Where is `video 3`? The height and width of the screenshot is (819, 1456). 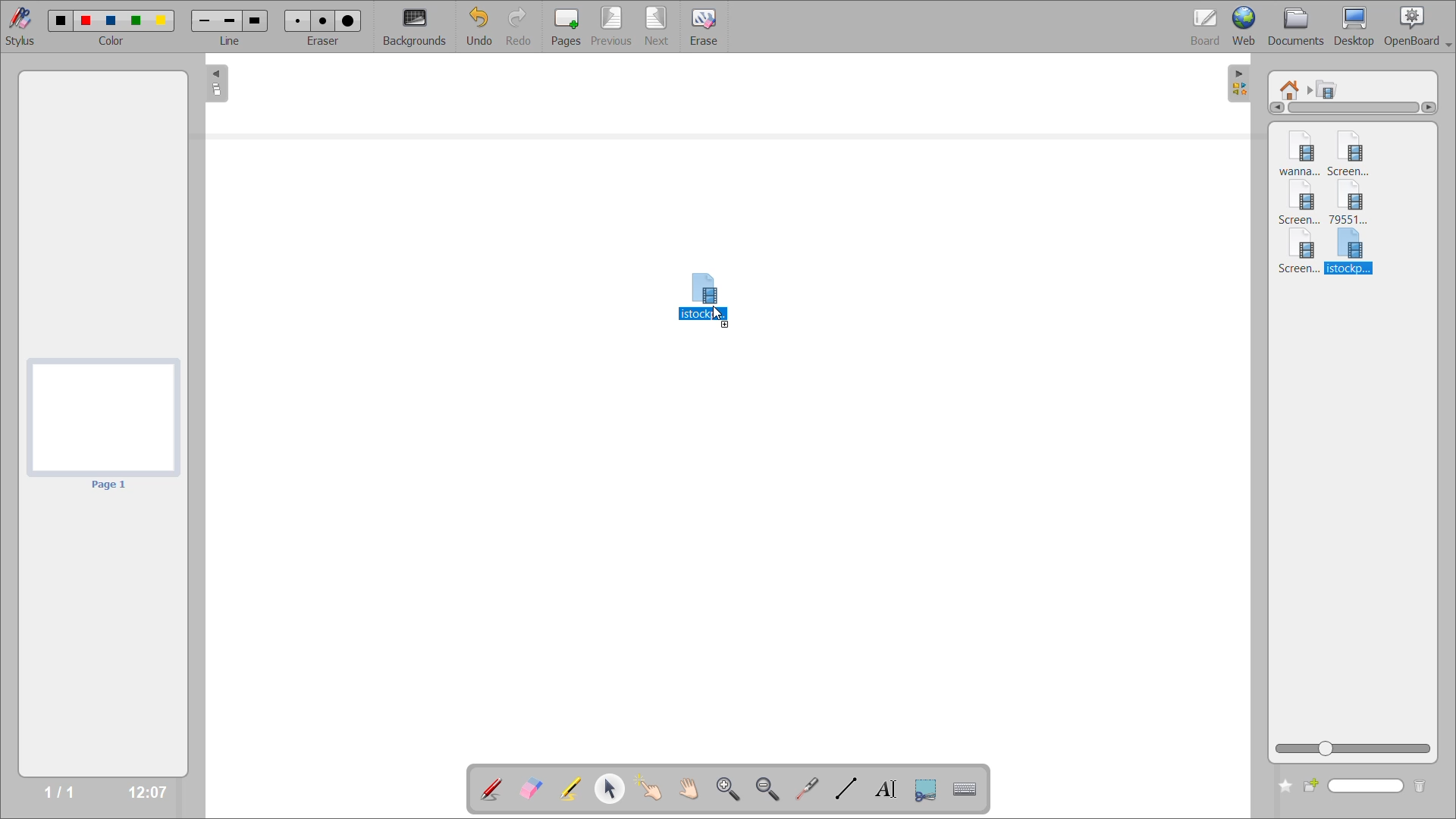 video 3 is located at coordinates (1301, 204).